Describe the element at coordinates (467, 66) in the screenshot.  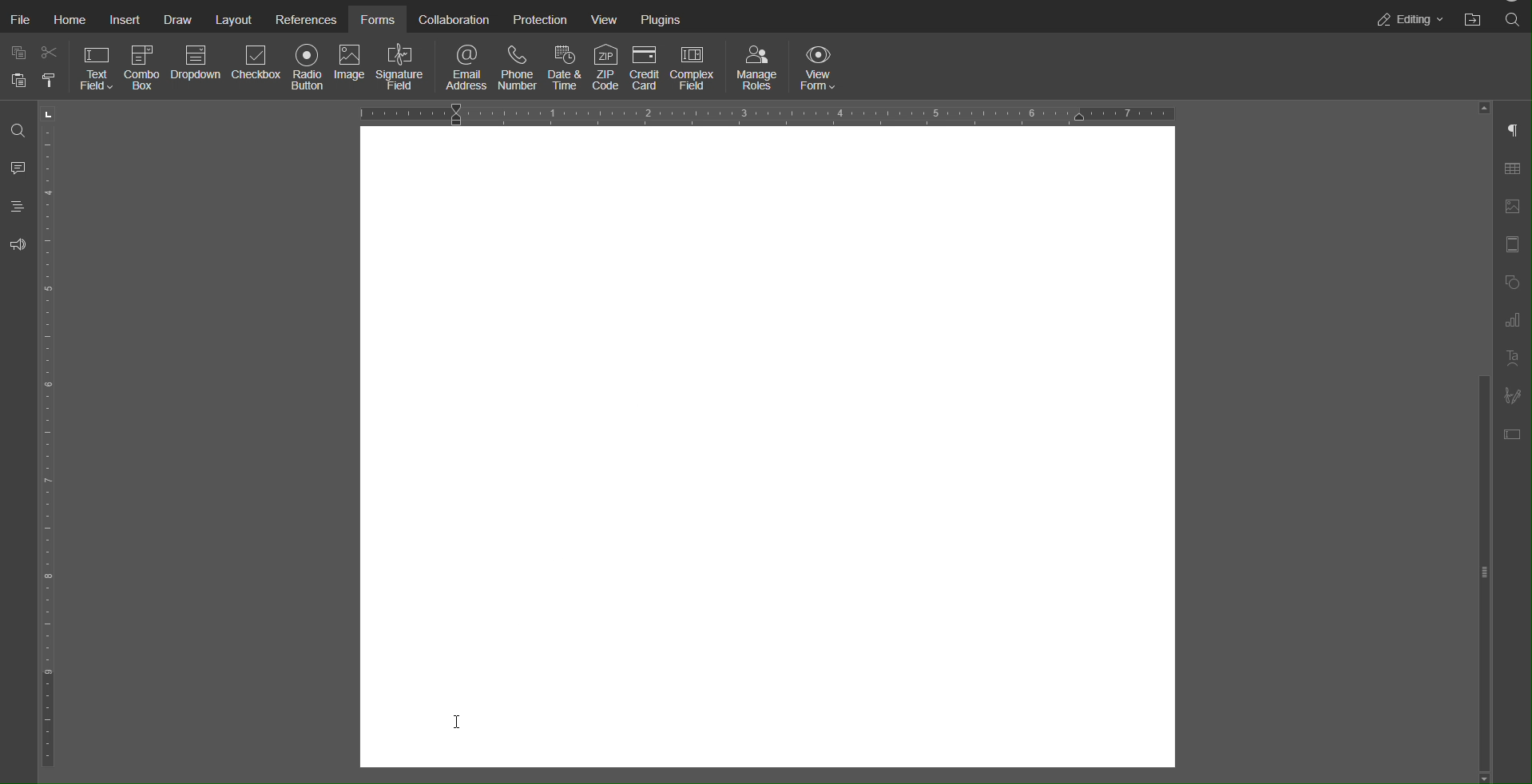
I see `Email Address` at that location.